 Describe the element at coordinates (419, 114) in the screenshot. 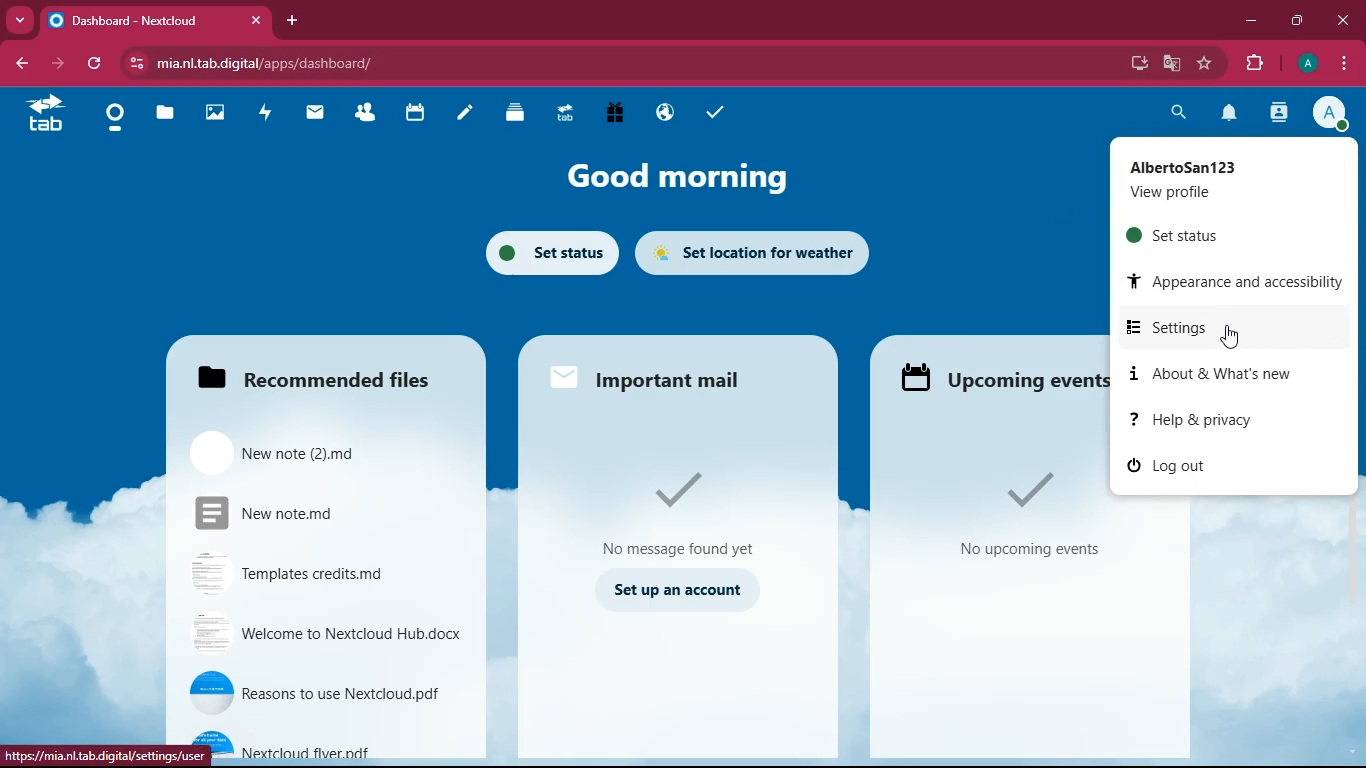

I see `calendar` at that location.